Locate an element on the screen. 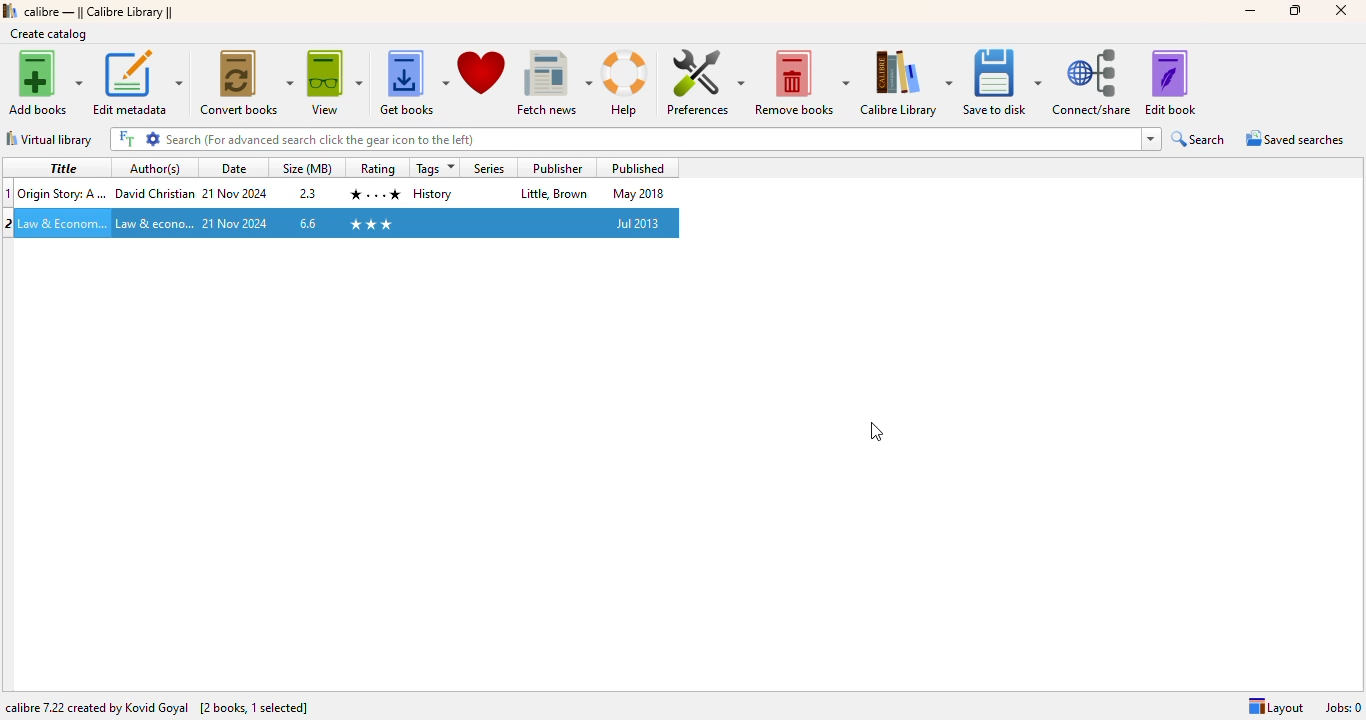  view is located at coordinates (334, 83).